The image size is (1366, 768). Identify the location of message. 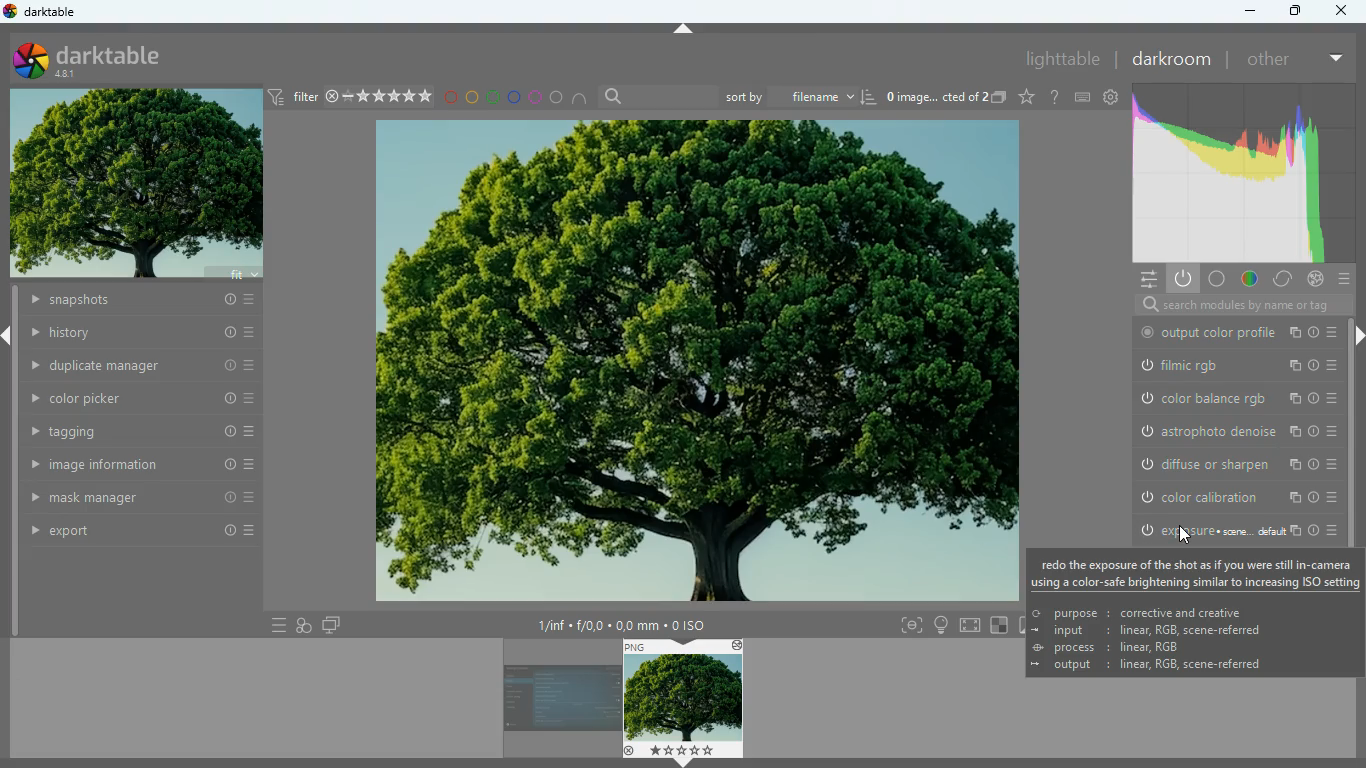
(1199, 573).